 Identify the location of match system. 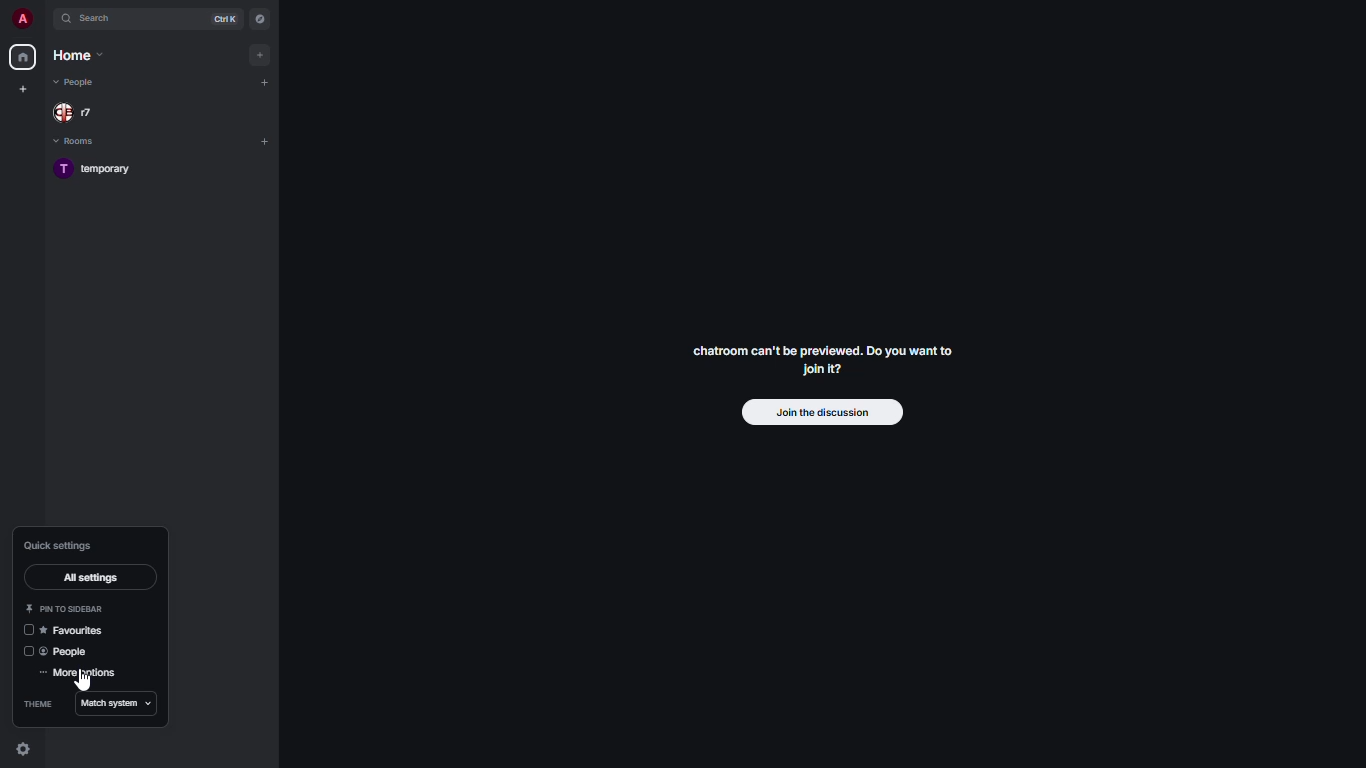
(112, 704).